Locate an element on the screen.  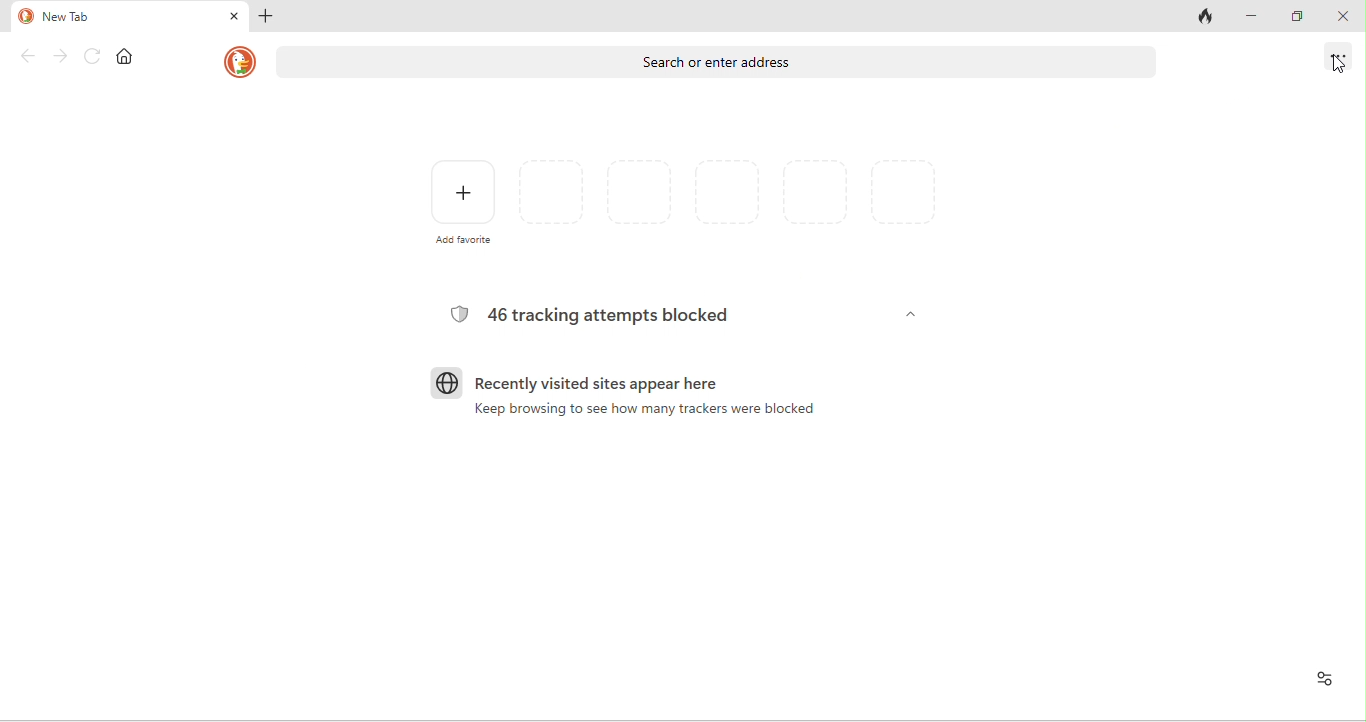
forward is located at coordinates (61, 57).